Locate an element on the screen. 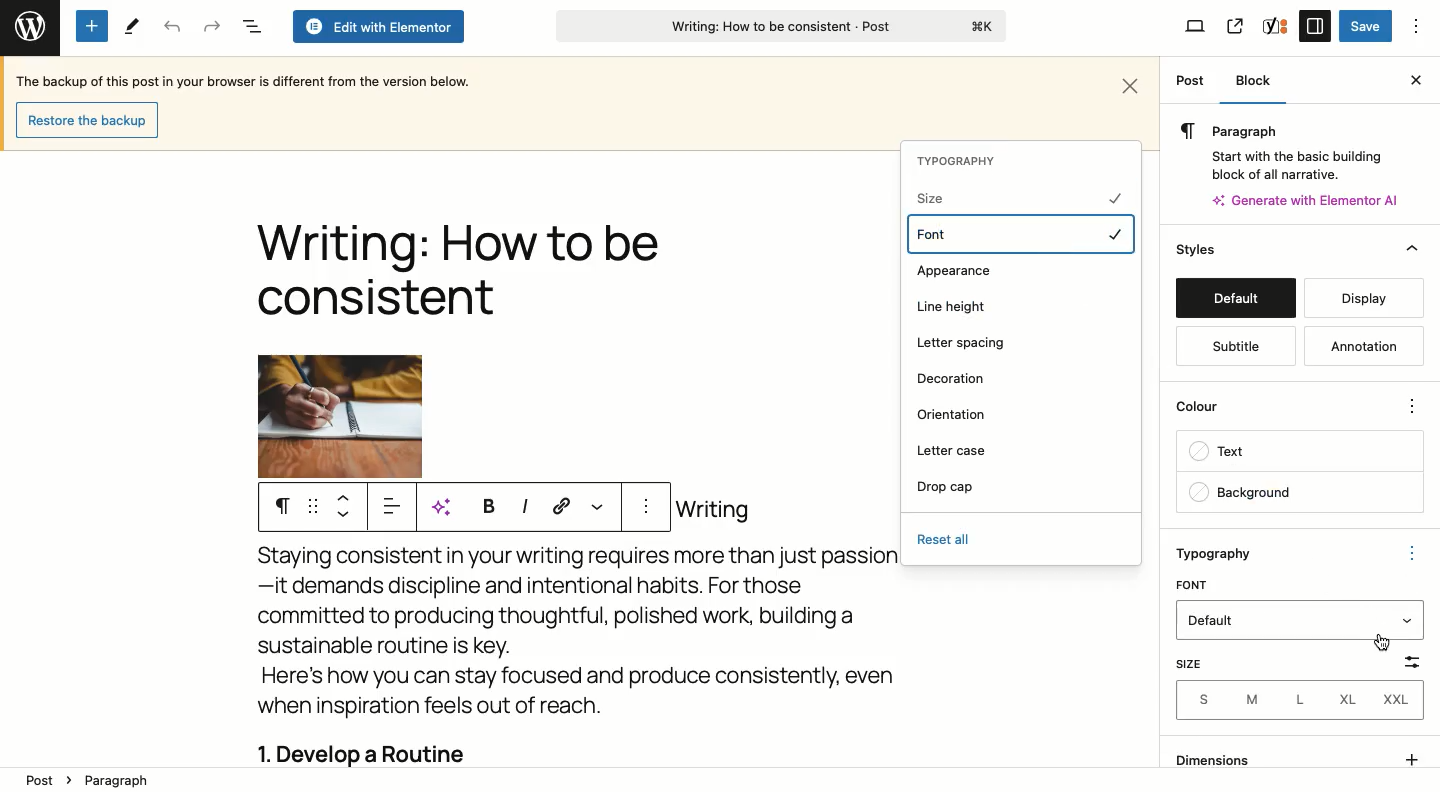  Default is located at coordinates (1235, 298).